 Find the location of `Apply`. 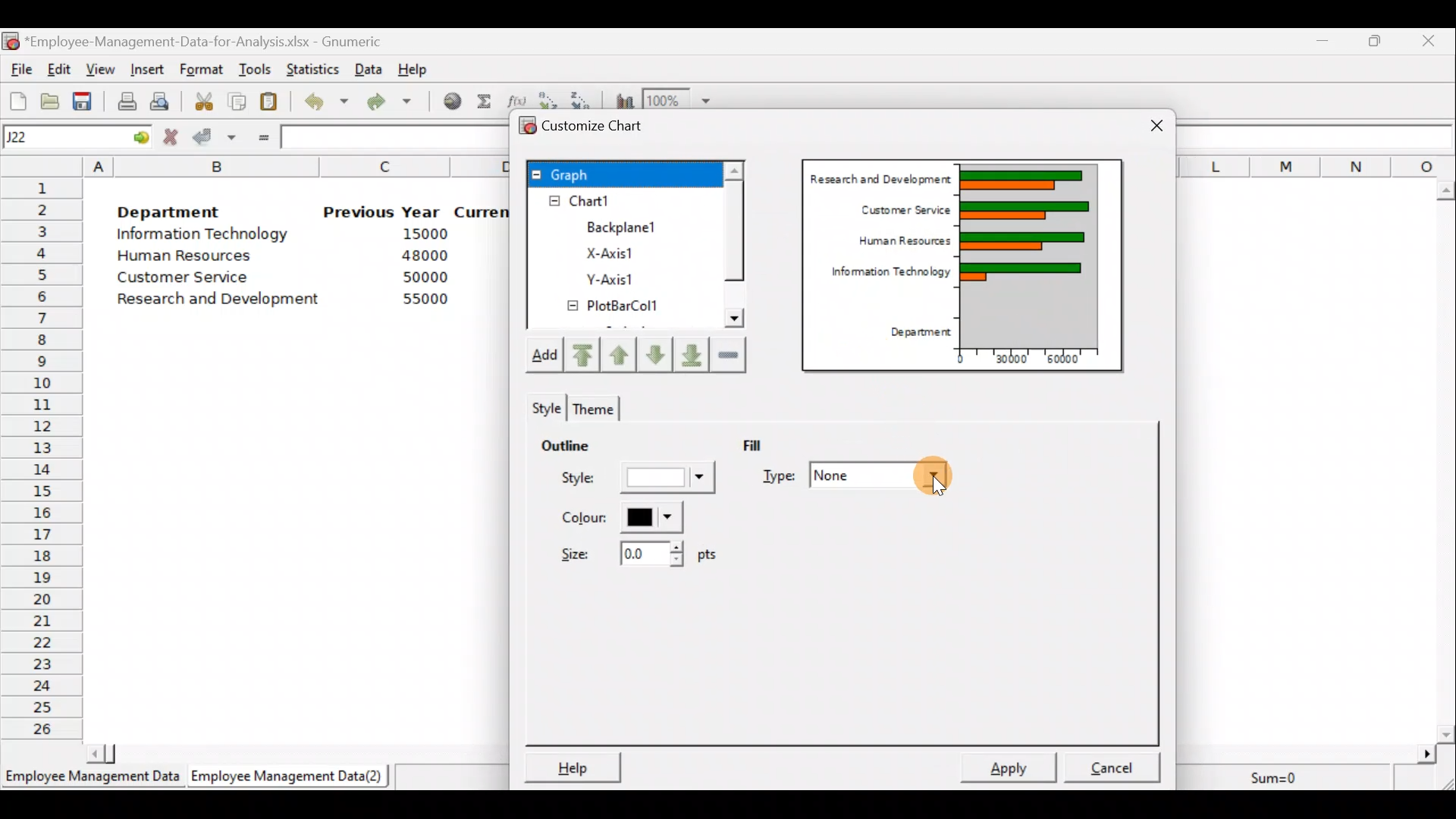

Apply is located at coordinates (1010, 767).